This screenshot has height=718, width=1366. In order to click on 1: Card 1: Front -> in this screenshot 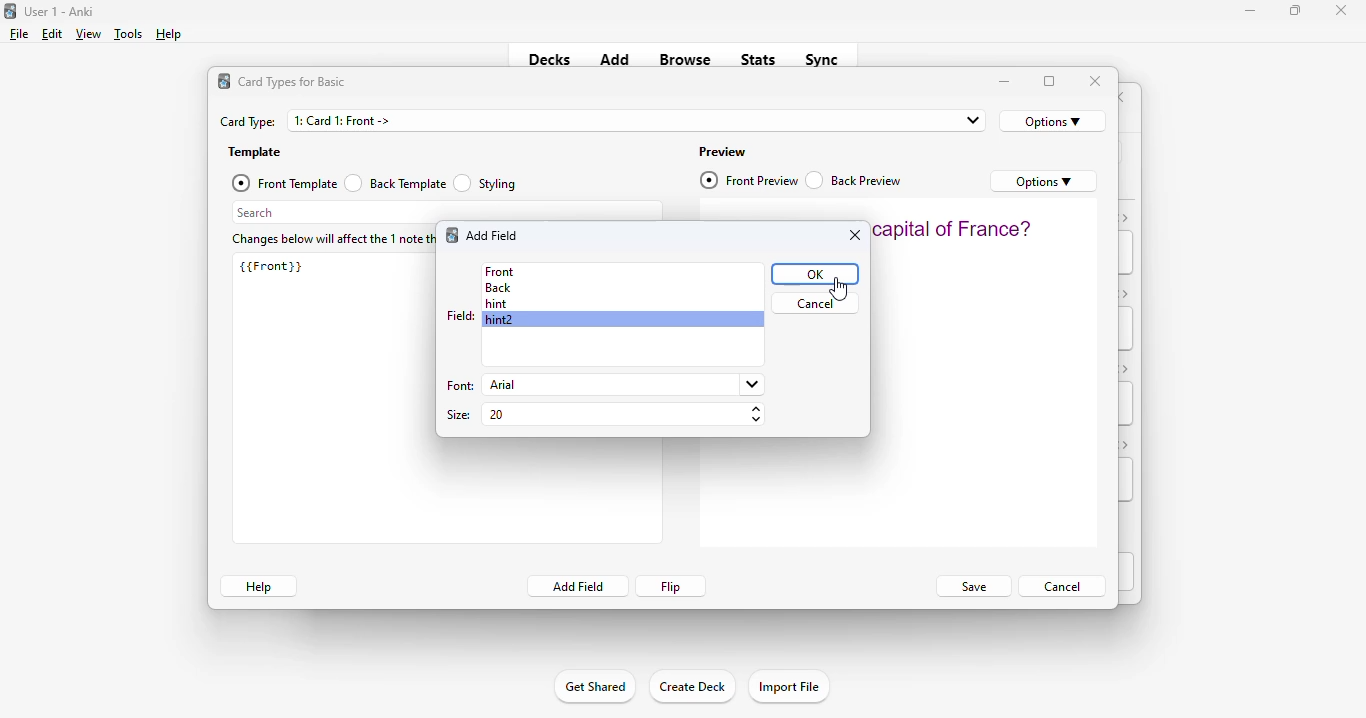, I will do `click(637, 120)`.